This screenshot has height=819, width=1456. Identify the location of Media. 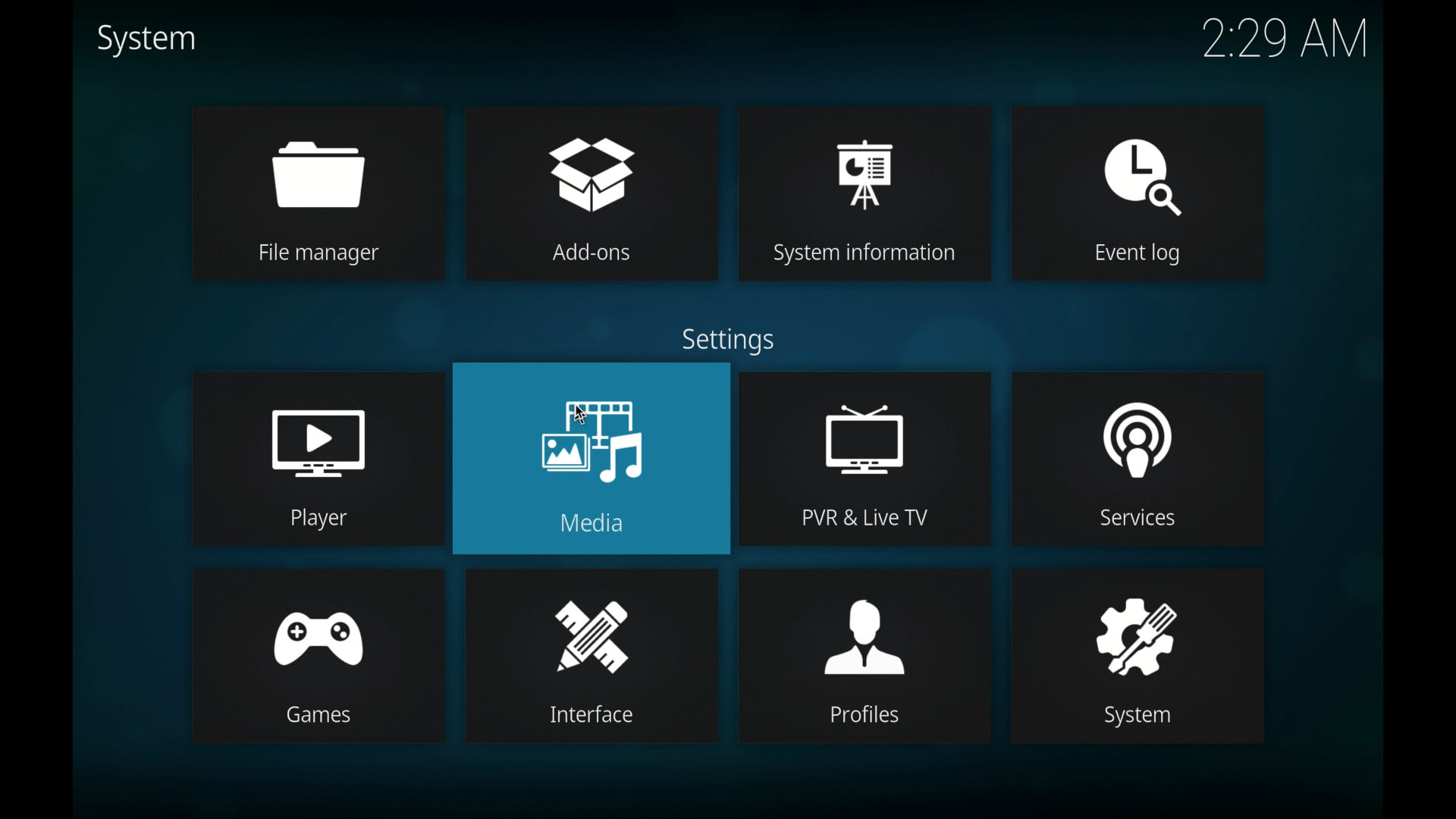
(599, 524).